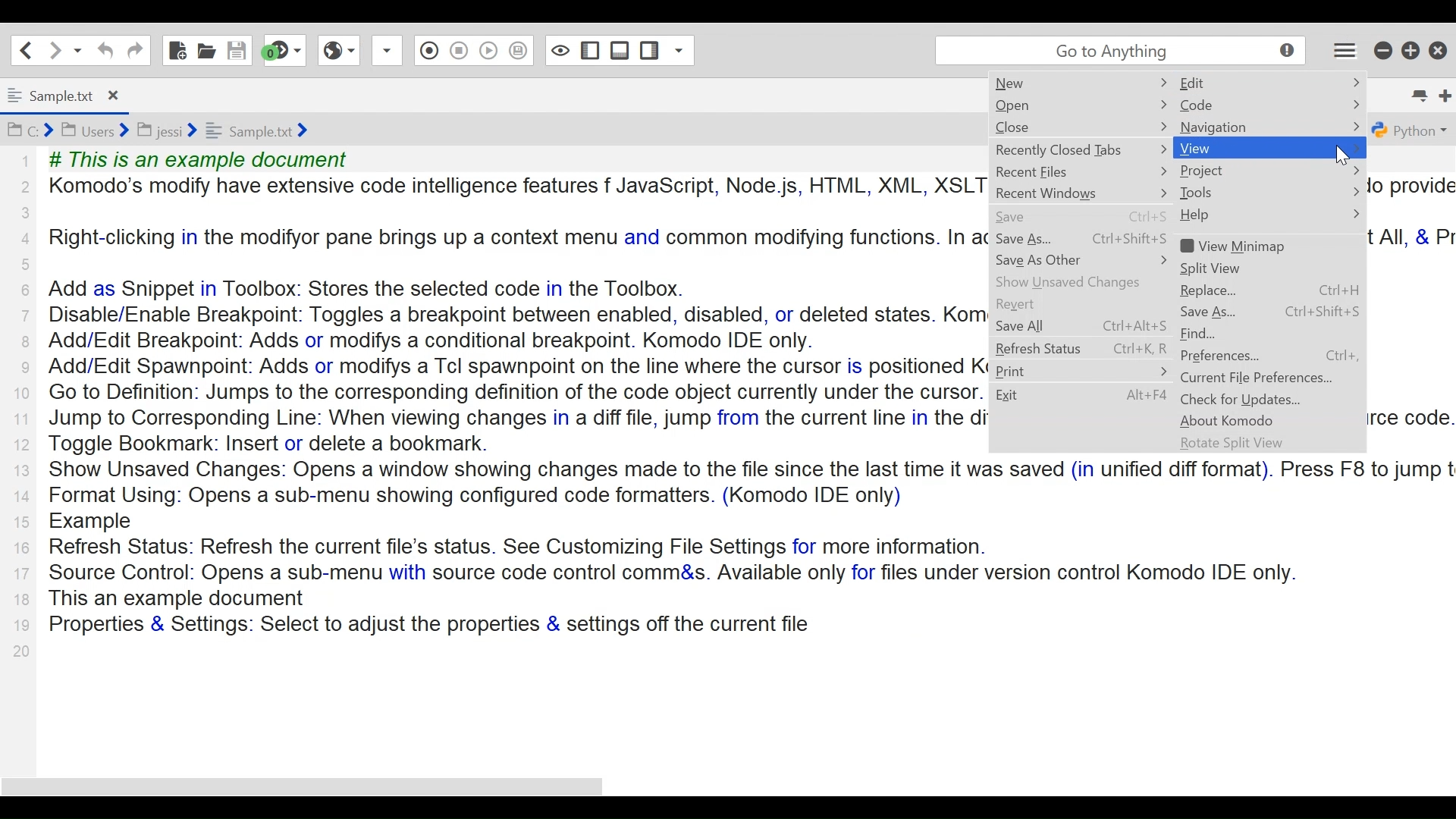 The height and width of the screenshot is (819, 1456). What do you see at coordinates (1032, 305) in the screenshot?
I see `Revert` at bounding box center [1032, 305].